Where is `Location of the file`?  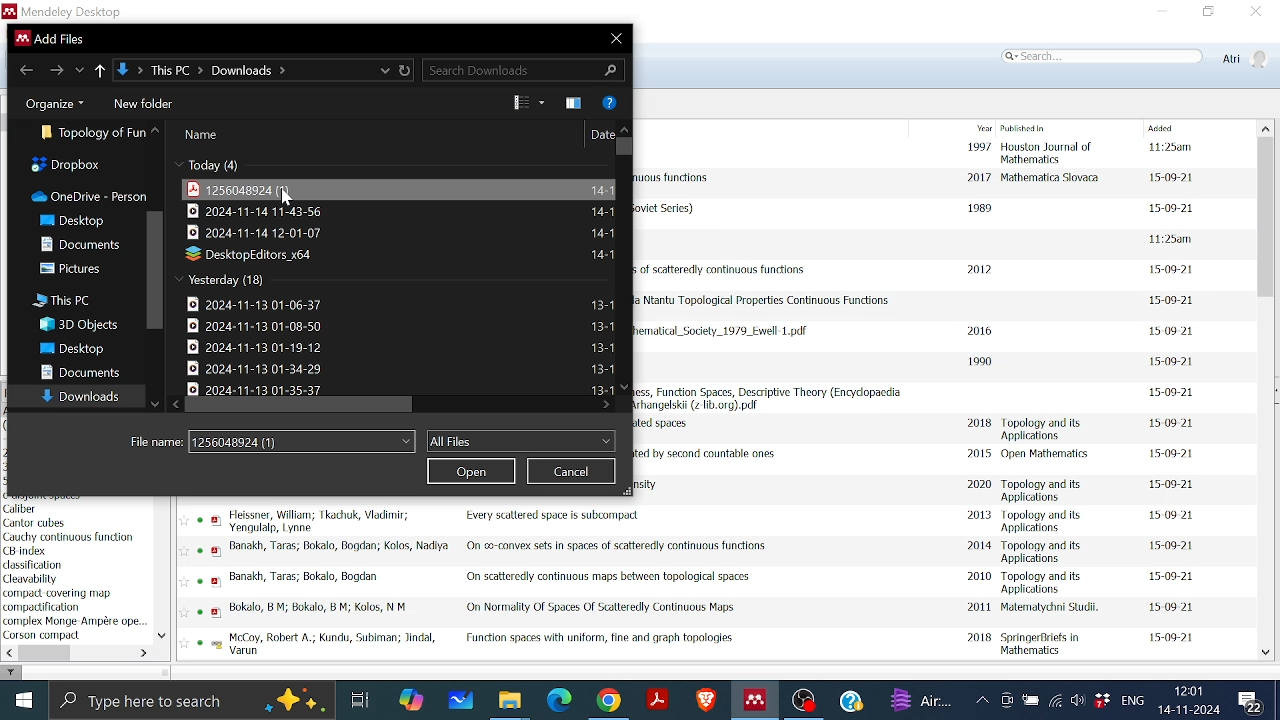 Location of the file is located at coordinates (254, 69).